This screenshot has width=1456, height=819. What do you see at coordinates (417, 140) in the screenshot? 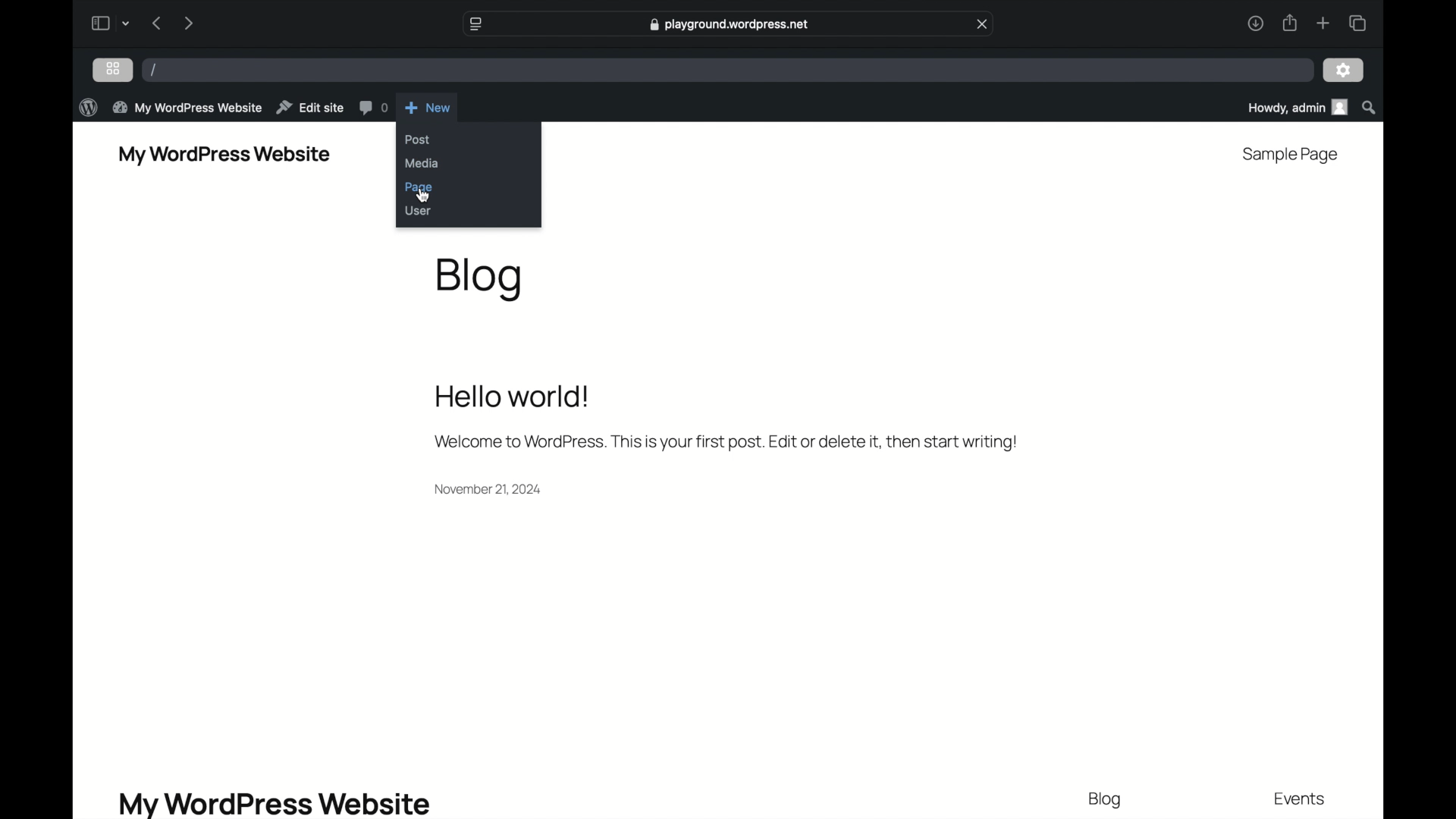
I see `post` at bounding box center [417, 140].